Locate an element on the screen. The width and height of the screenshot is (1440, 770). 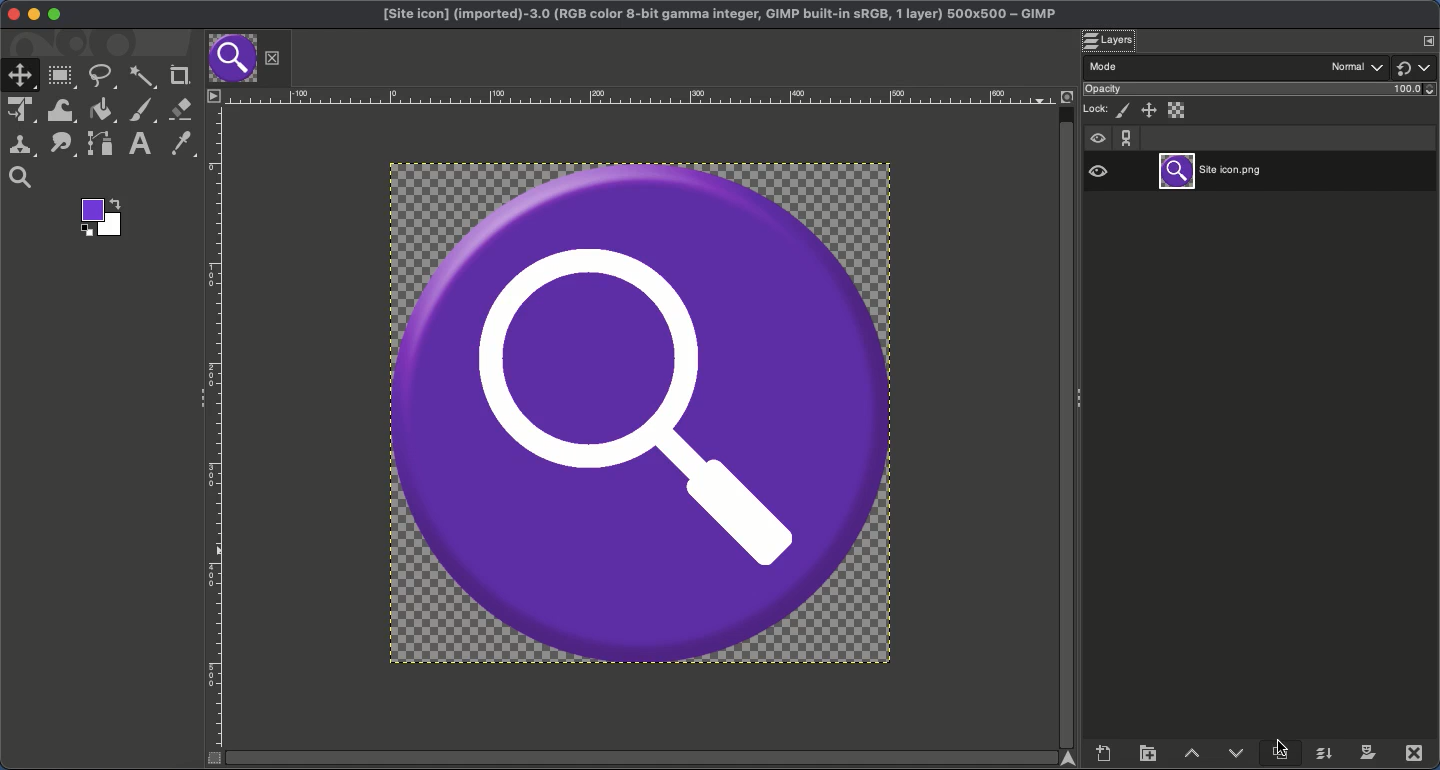
Minimize is located at coordinates (32, 14).